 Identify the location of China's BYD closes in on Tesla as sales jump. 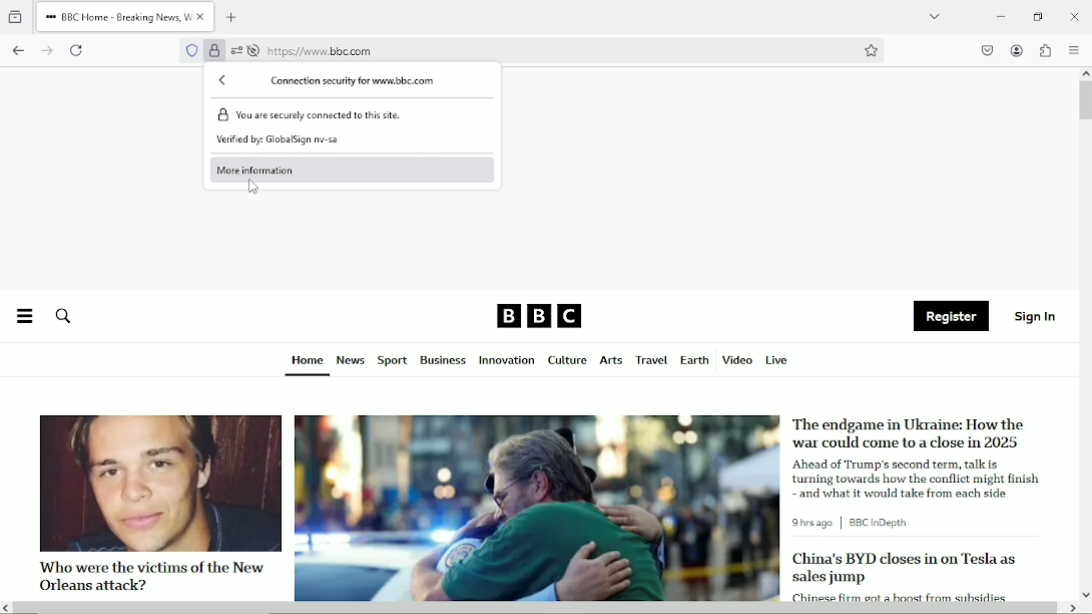
(904, 568).